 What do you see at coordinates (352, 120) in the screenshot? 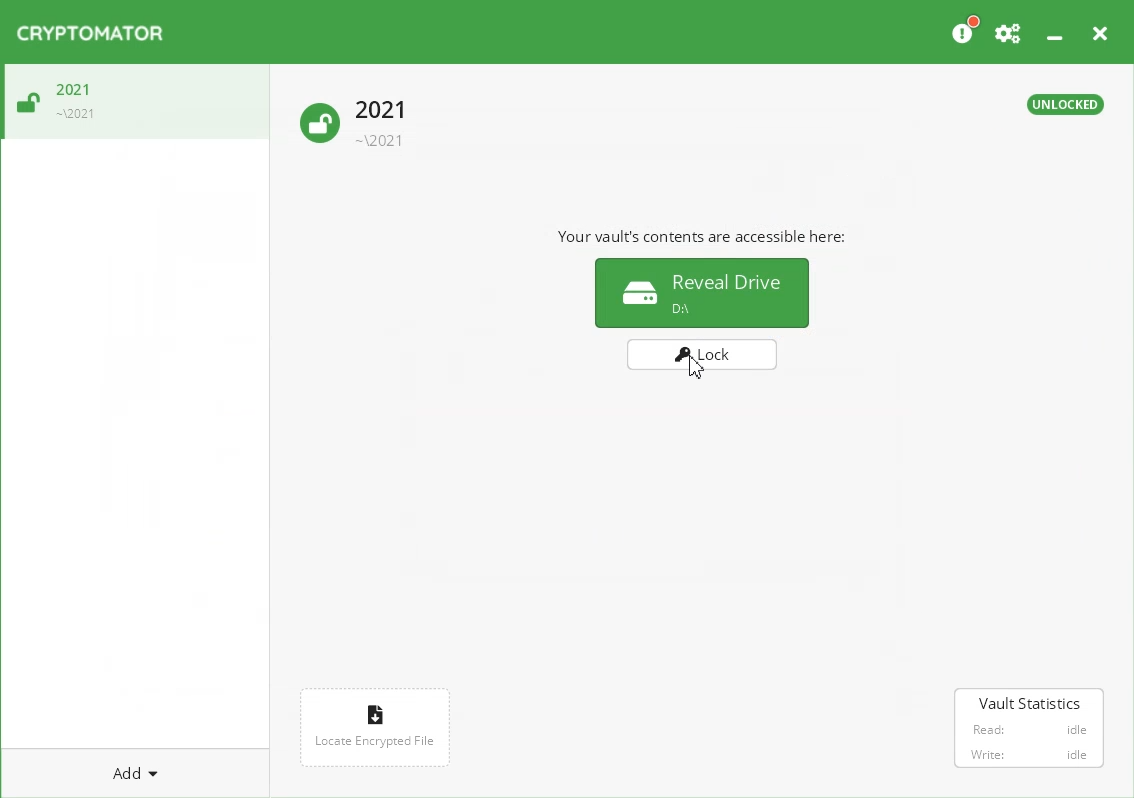
I see `Unlock Vault` at bounding box center [352, 120].